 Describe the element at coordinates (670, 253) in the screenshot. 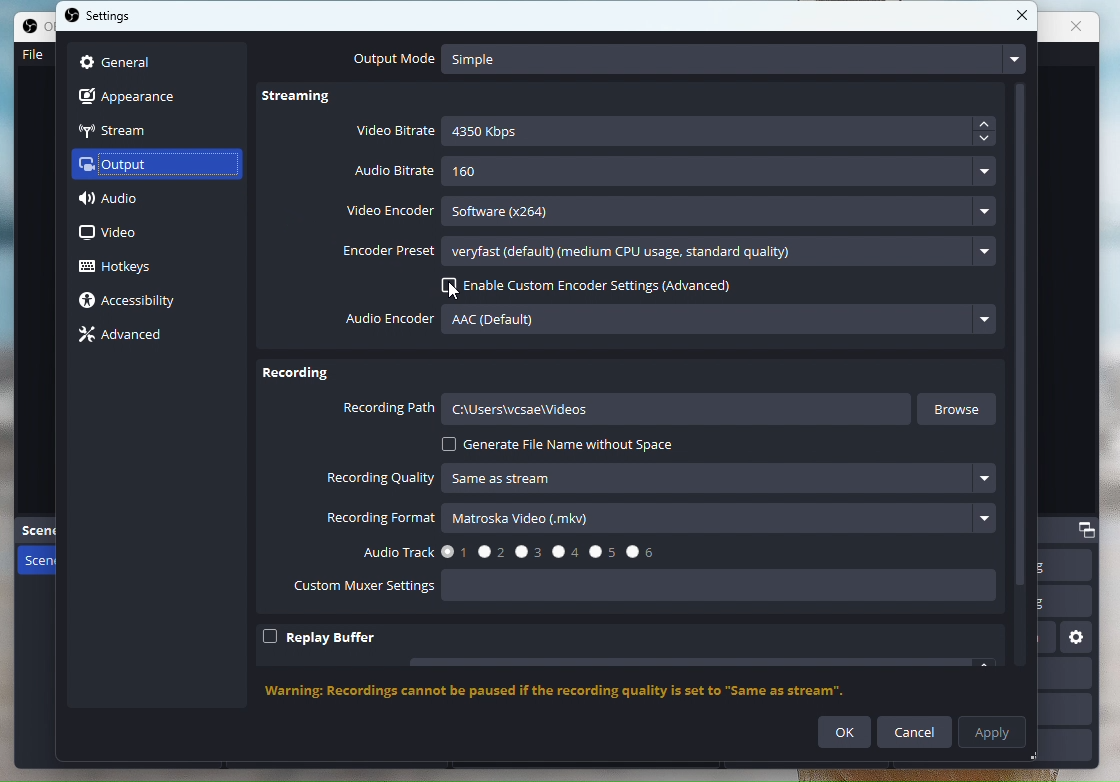

I see `Encoder Preset` at that location.